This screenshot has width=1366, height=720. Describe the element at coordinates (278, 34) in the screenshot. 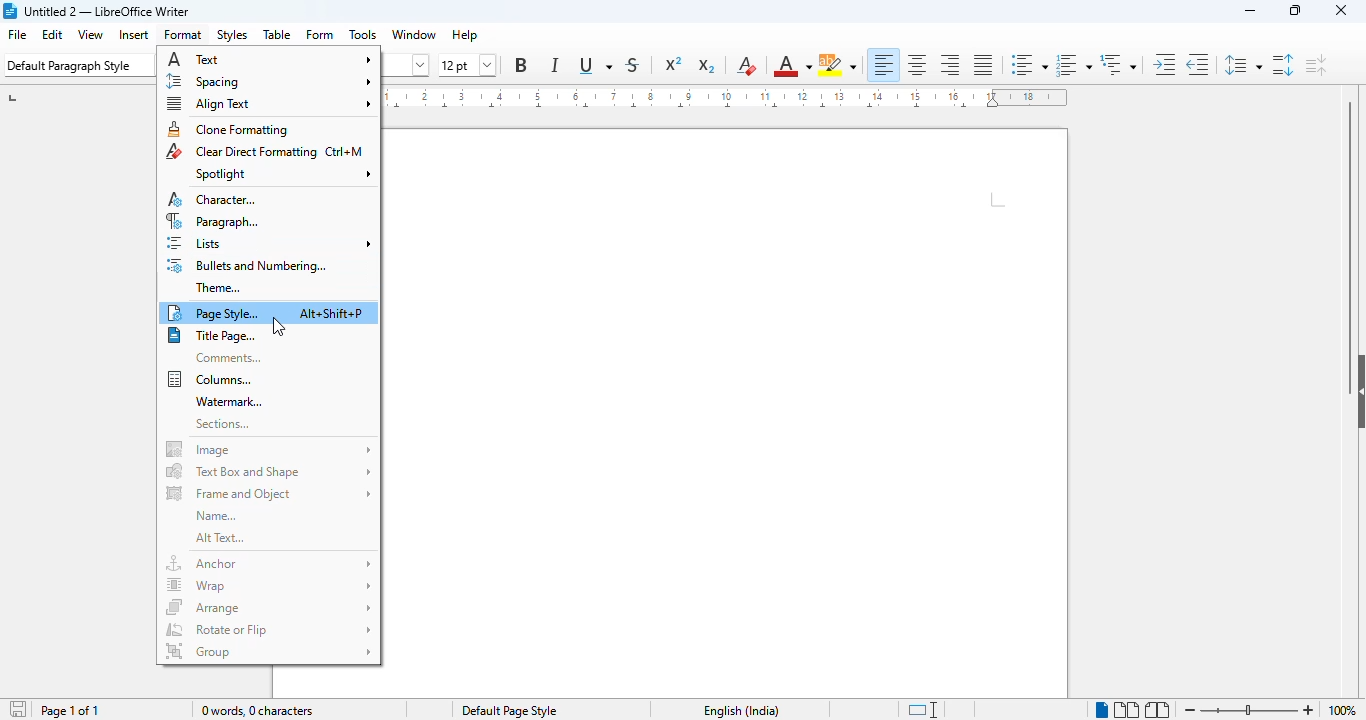

I see `table` at that location.